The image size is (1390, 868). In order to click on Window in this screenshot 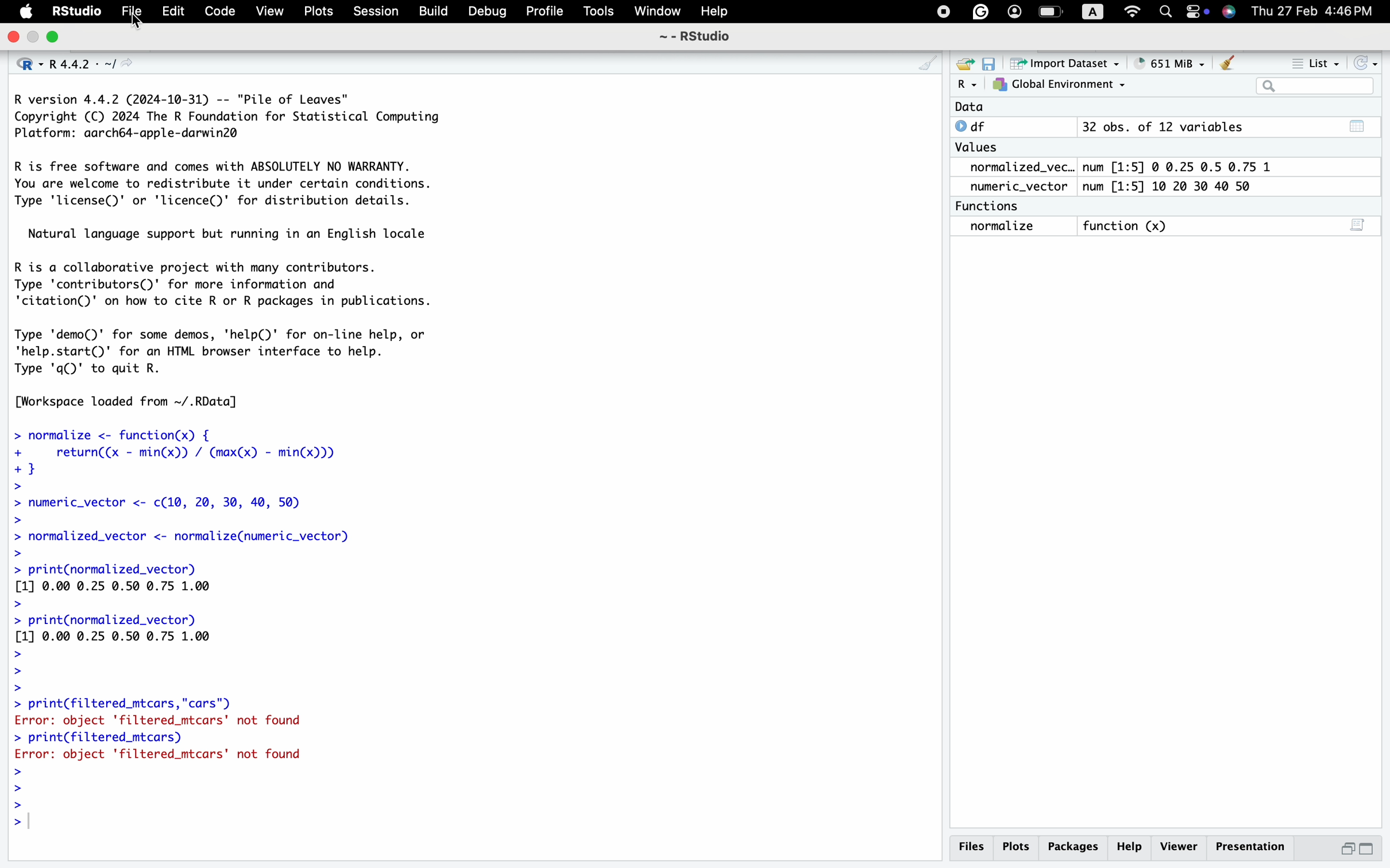, I will do `click(655, 13)`.